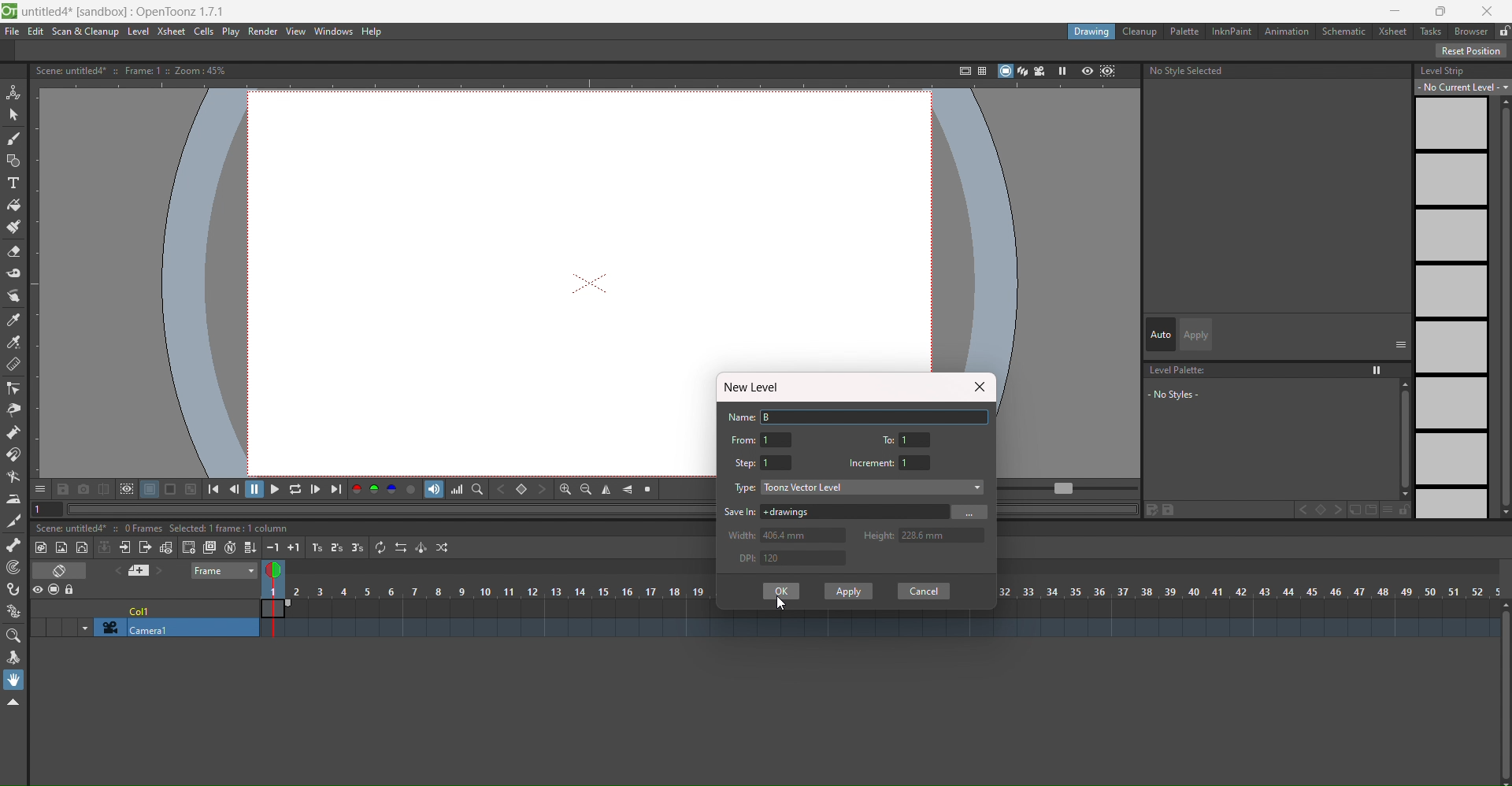 The width and height of the screenshot is (1512, 786). Describe the element at coordinates (83, 32) in the screenshot. I see `scan & cleanup` at that location.